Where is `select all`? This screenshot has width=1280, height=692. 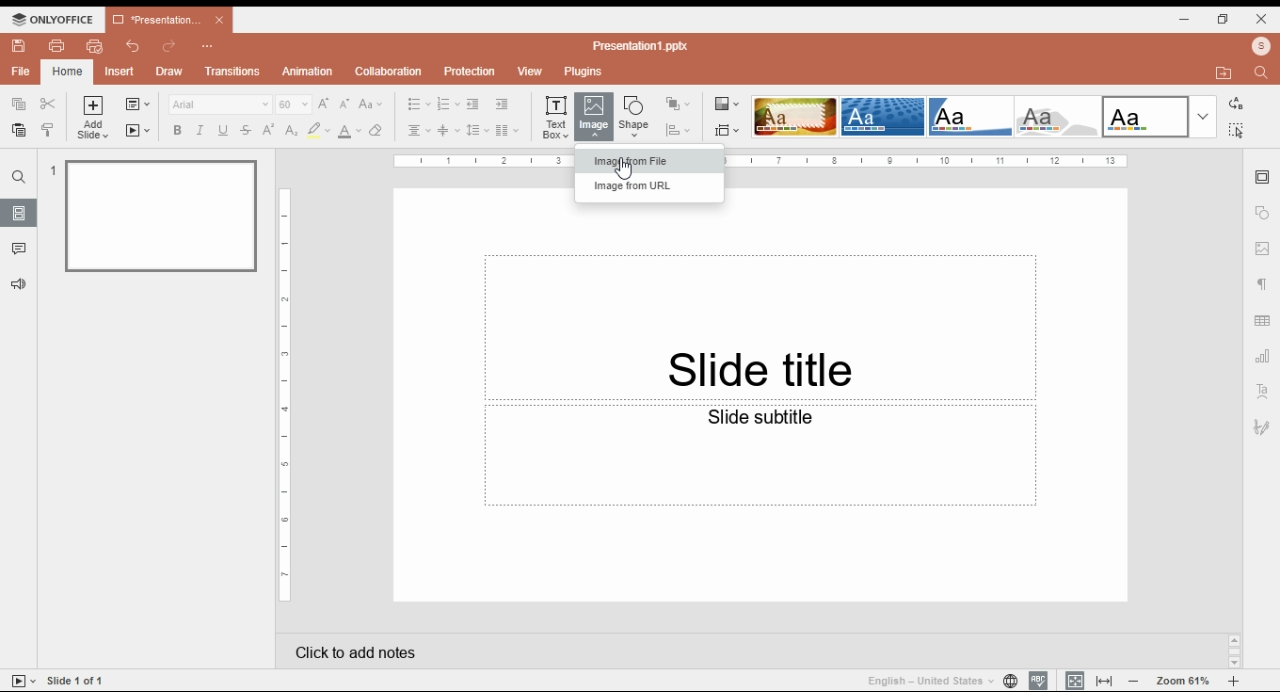 select all is located at coordinates (1235, 129).